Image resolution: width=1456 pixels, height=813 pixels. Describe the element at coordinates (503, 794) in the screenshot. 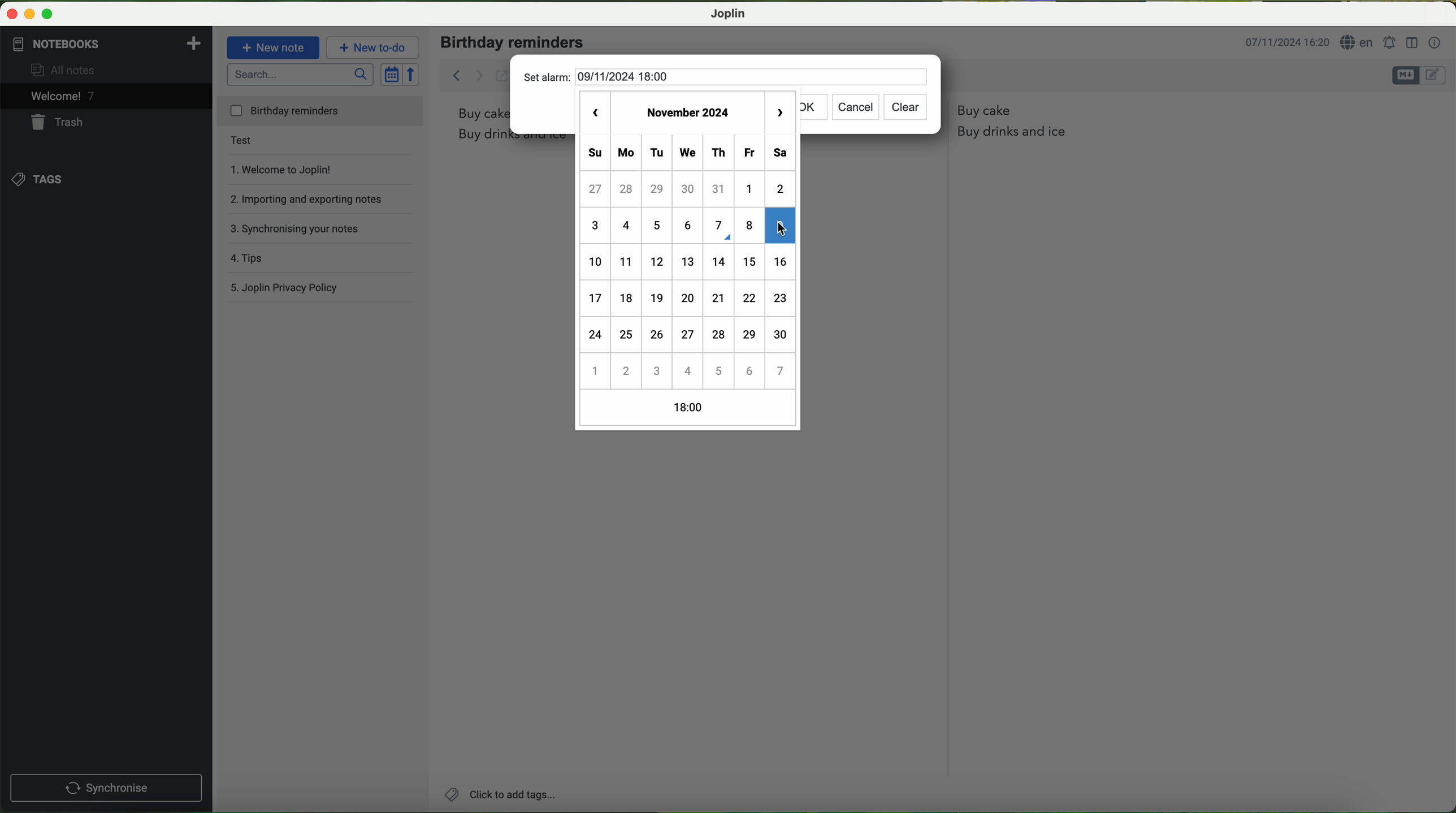

I see `add tags` at that location.